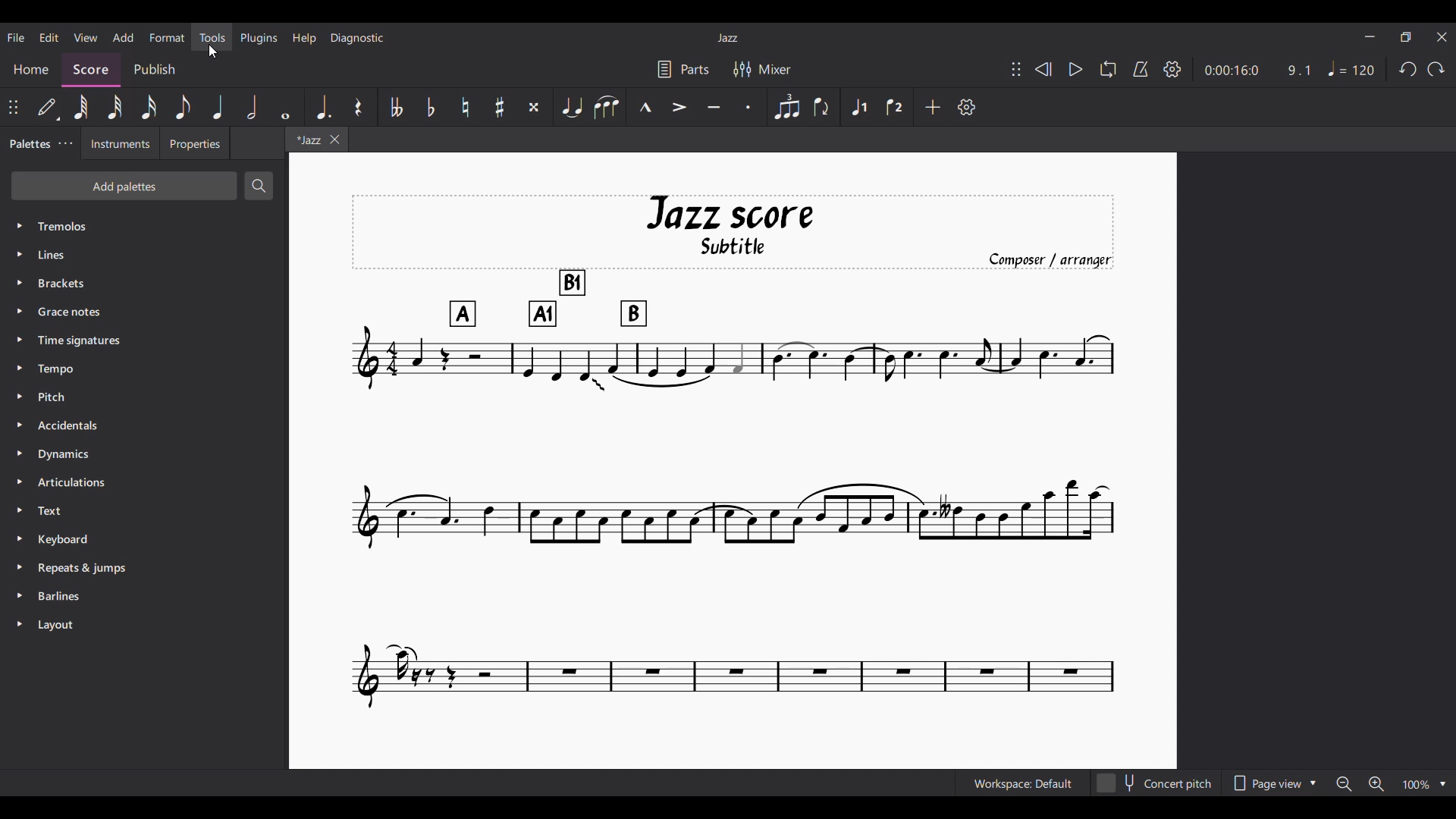 The image size is (1456, 819). I want to click on Tuplet, so click(788, 107).